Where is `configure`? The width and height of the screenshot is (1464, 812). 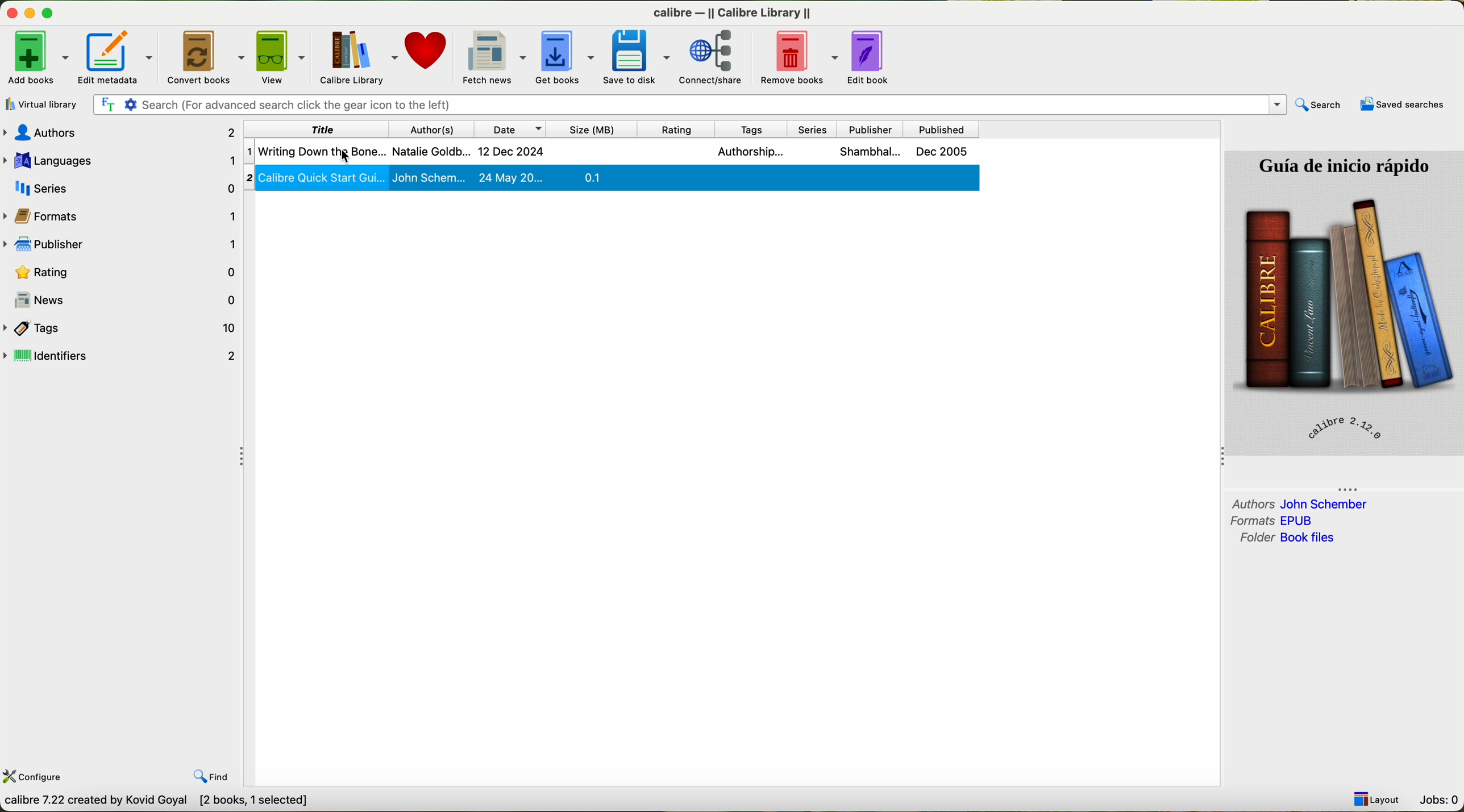 configure is located at coordinates (34, 778).